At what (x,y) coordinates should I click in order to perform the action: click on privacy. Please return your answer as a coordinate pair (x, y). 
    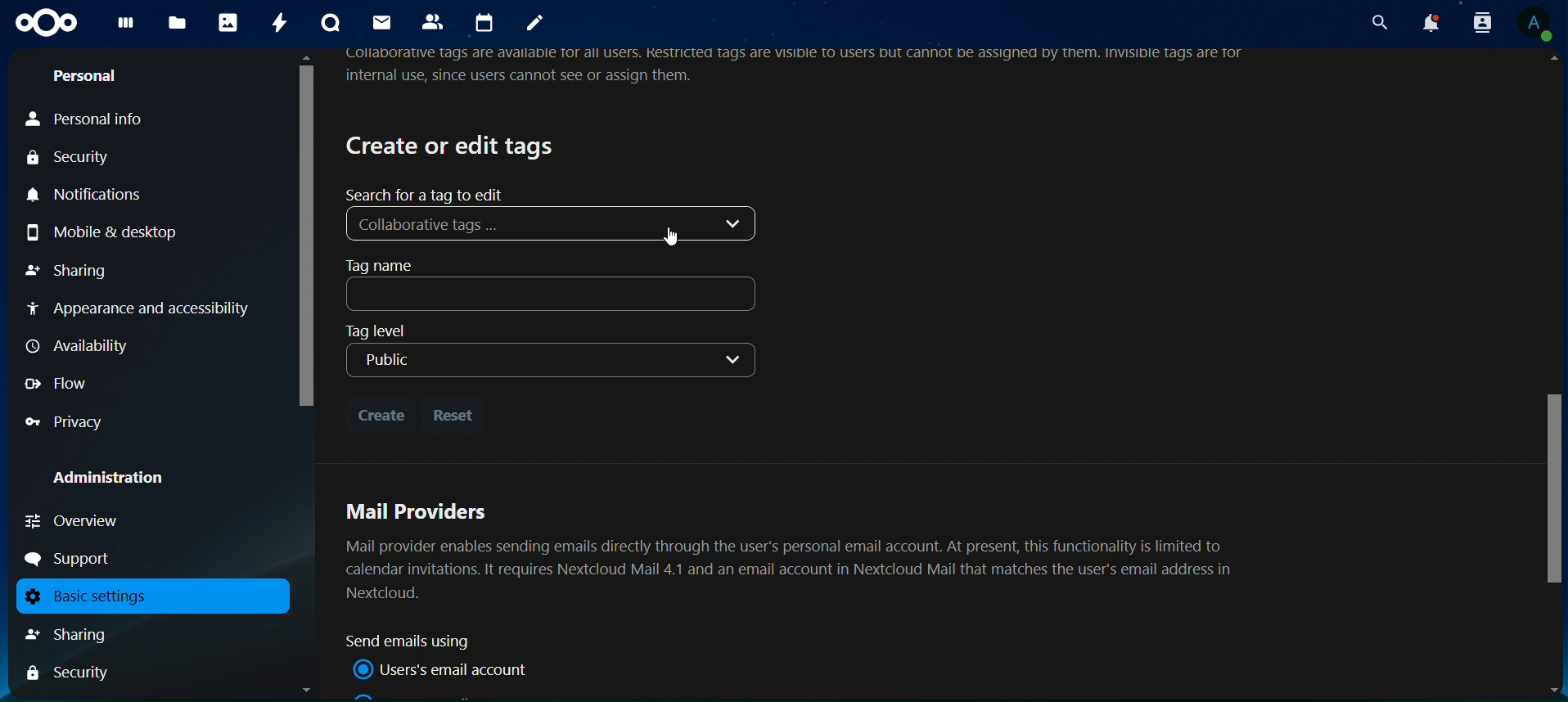
    Looking at the image, I should click on (65, 422).